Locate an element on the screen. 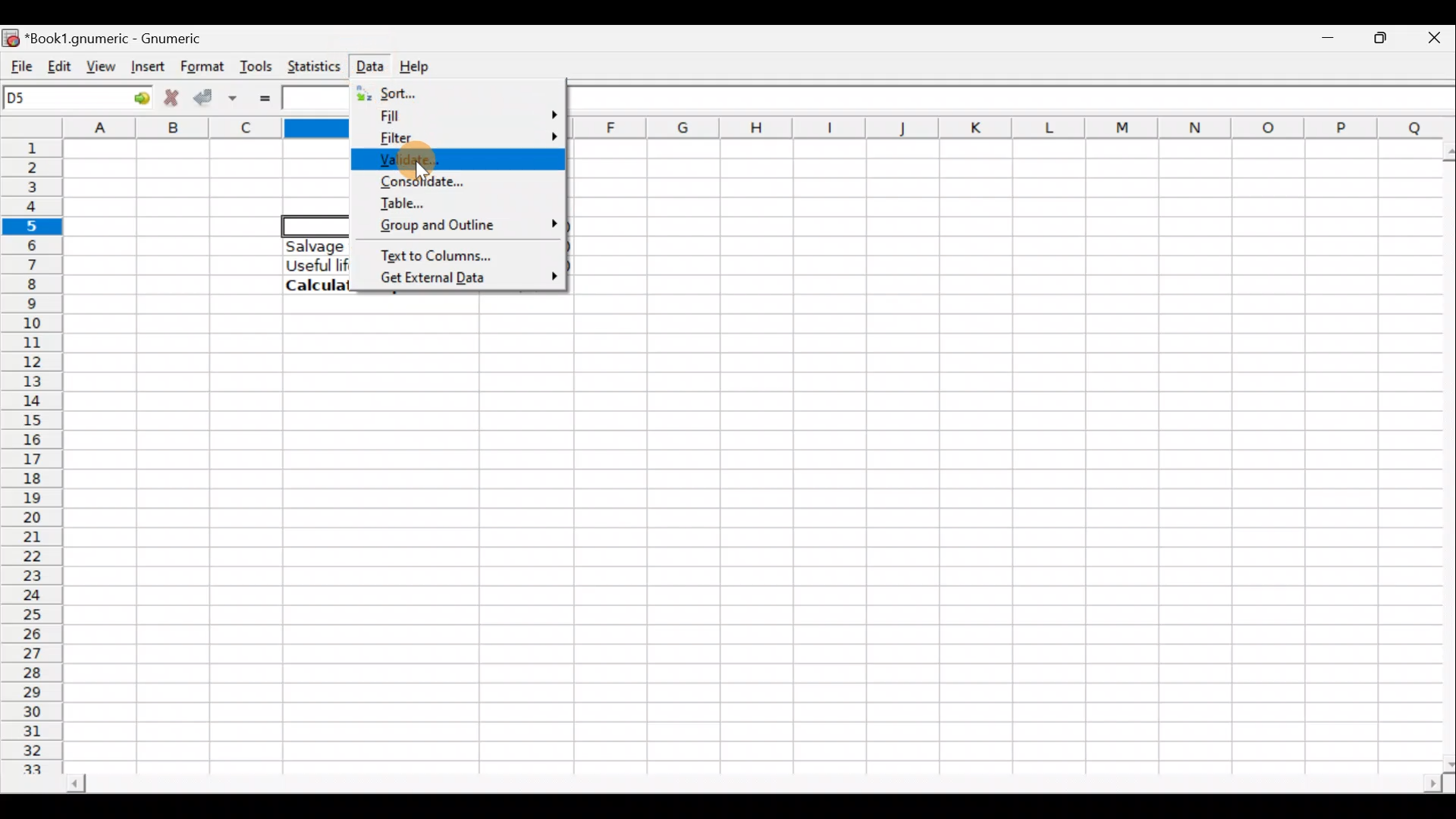 The image size is (1456, 819). Maximize is located at coordinates (1384, 36).